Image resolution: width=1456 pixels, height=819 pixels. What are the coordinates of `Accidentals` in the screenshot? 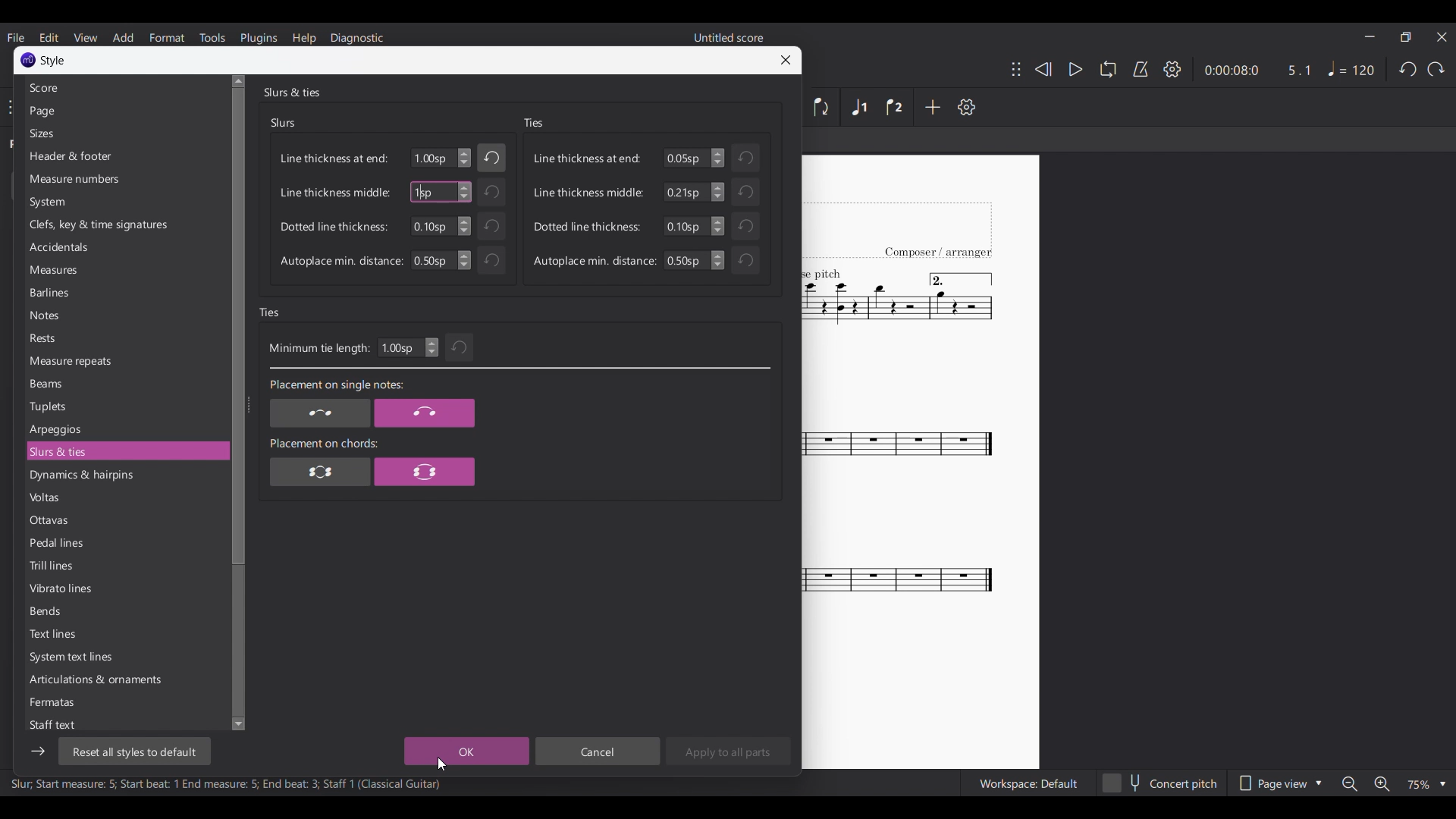 It's located at (124, 247).